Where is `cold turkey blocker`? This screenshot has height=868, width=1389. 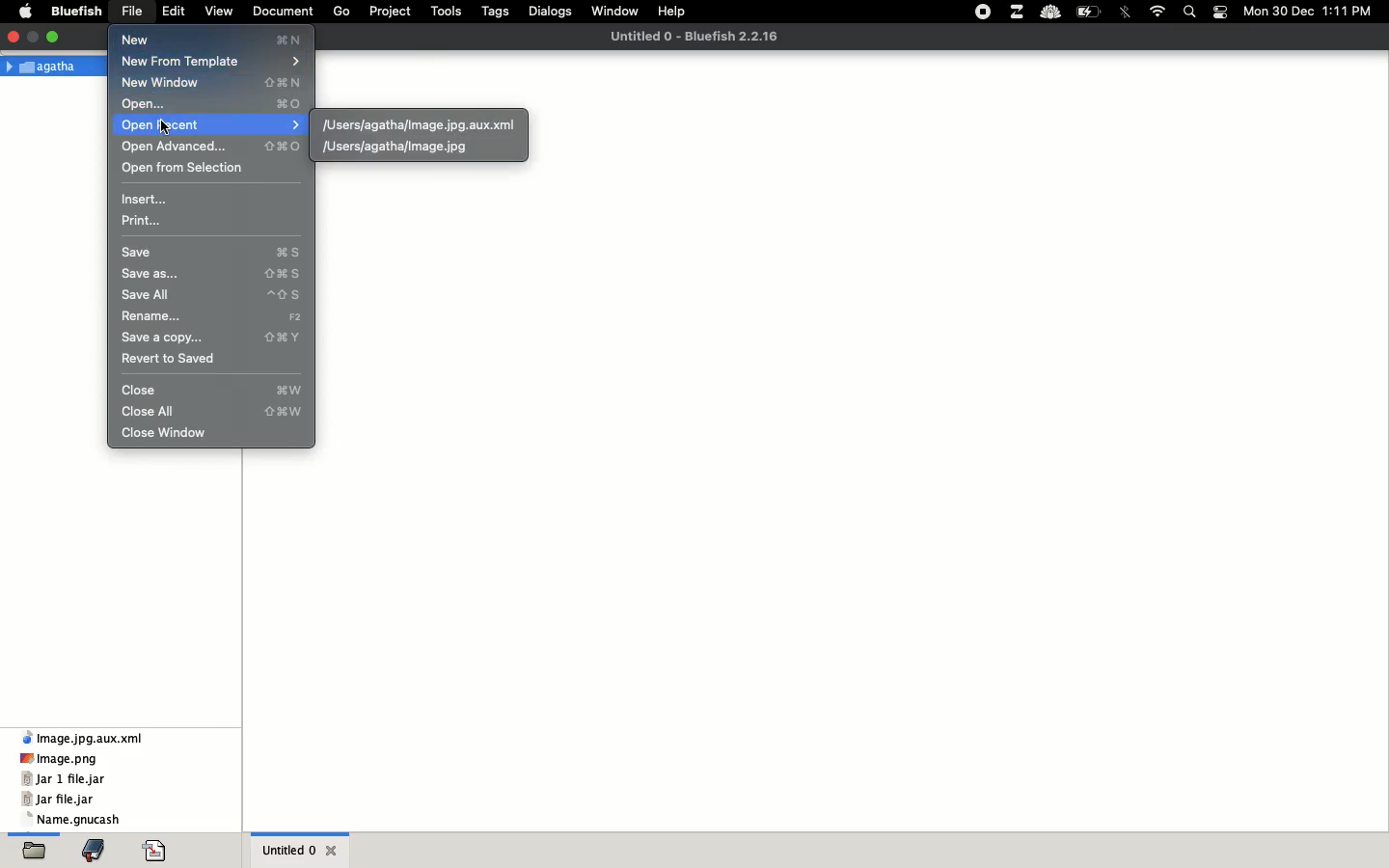
cold turkey blocker is located at coordinates (1052, 13).